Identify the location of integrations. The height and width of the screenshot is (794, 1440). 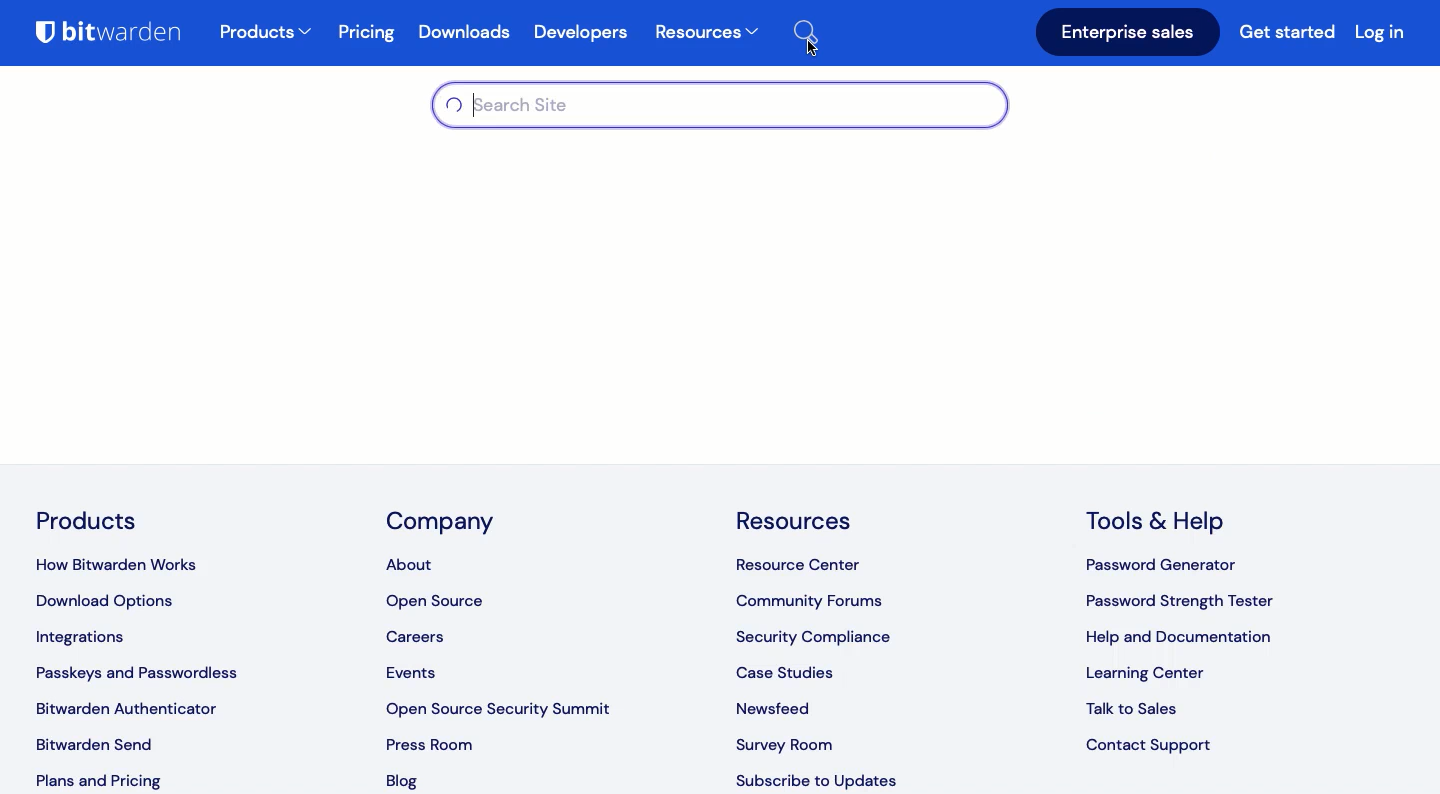
(92, 640).